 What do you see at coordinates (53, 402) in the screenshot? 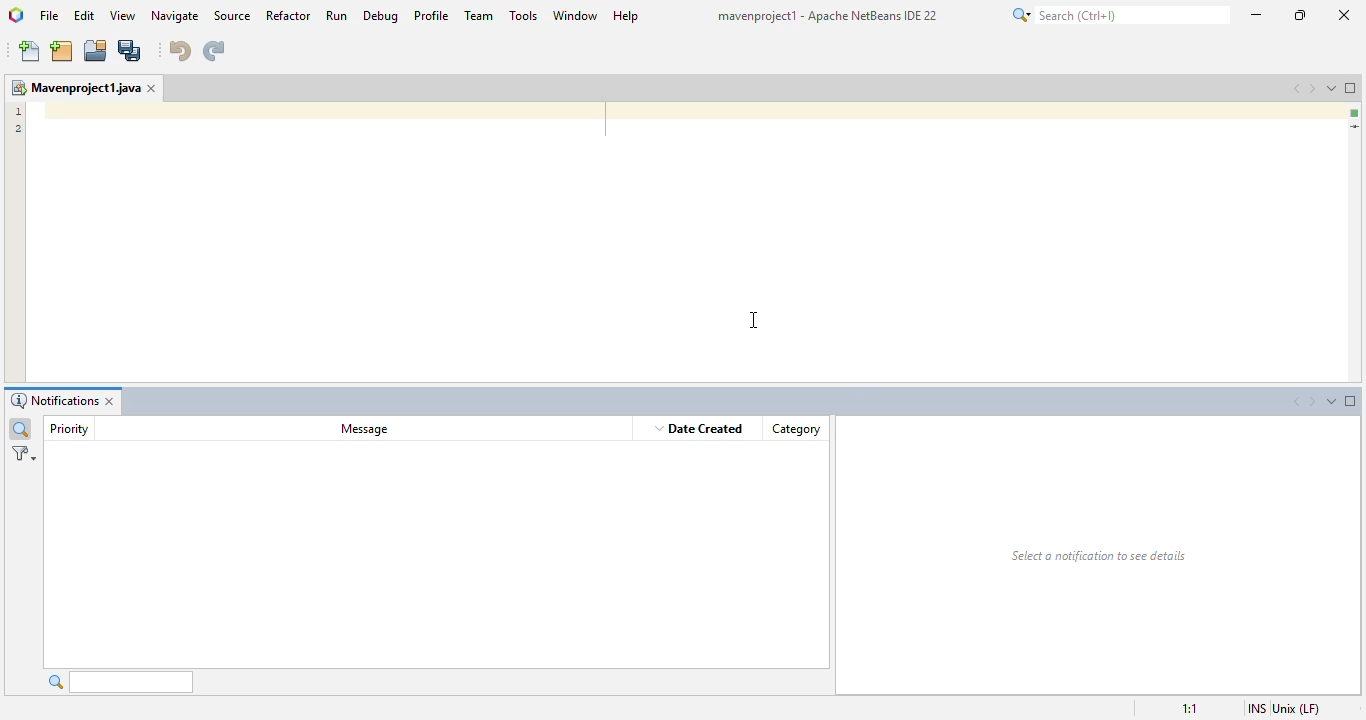
I see `notifications` at bounding box center [53, 402].